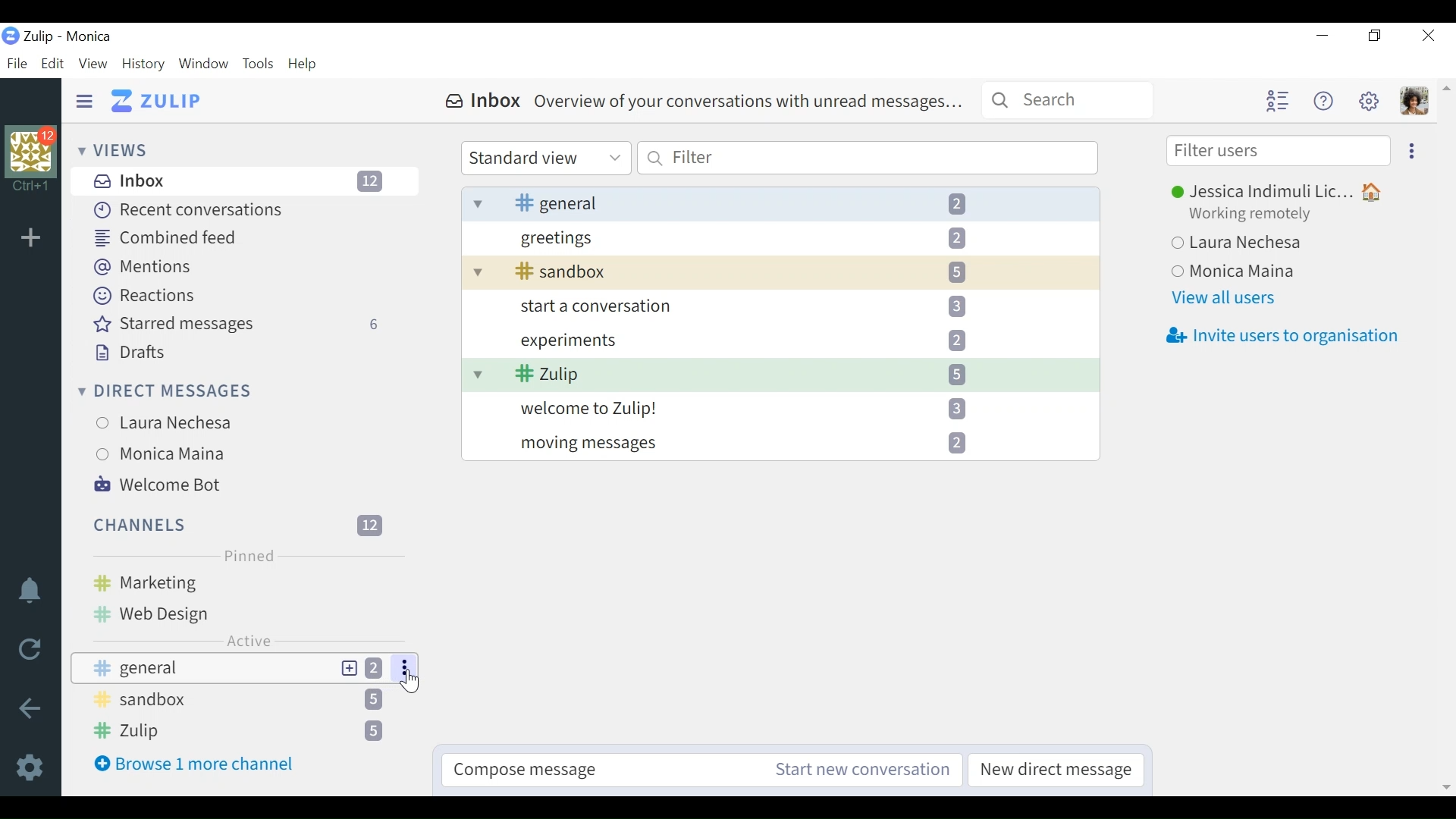  Describe the element at coordinates (113, 149) in the screenshot. I see `Views` at that location.